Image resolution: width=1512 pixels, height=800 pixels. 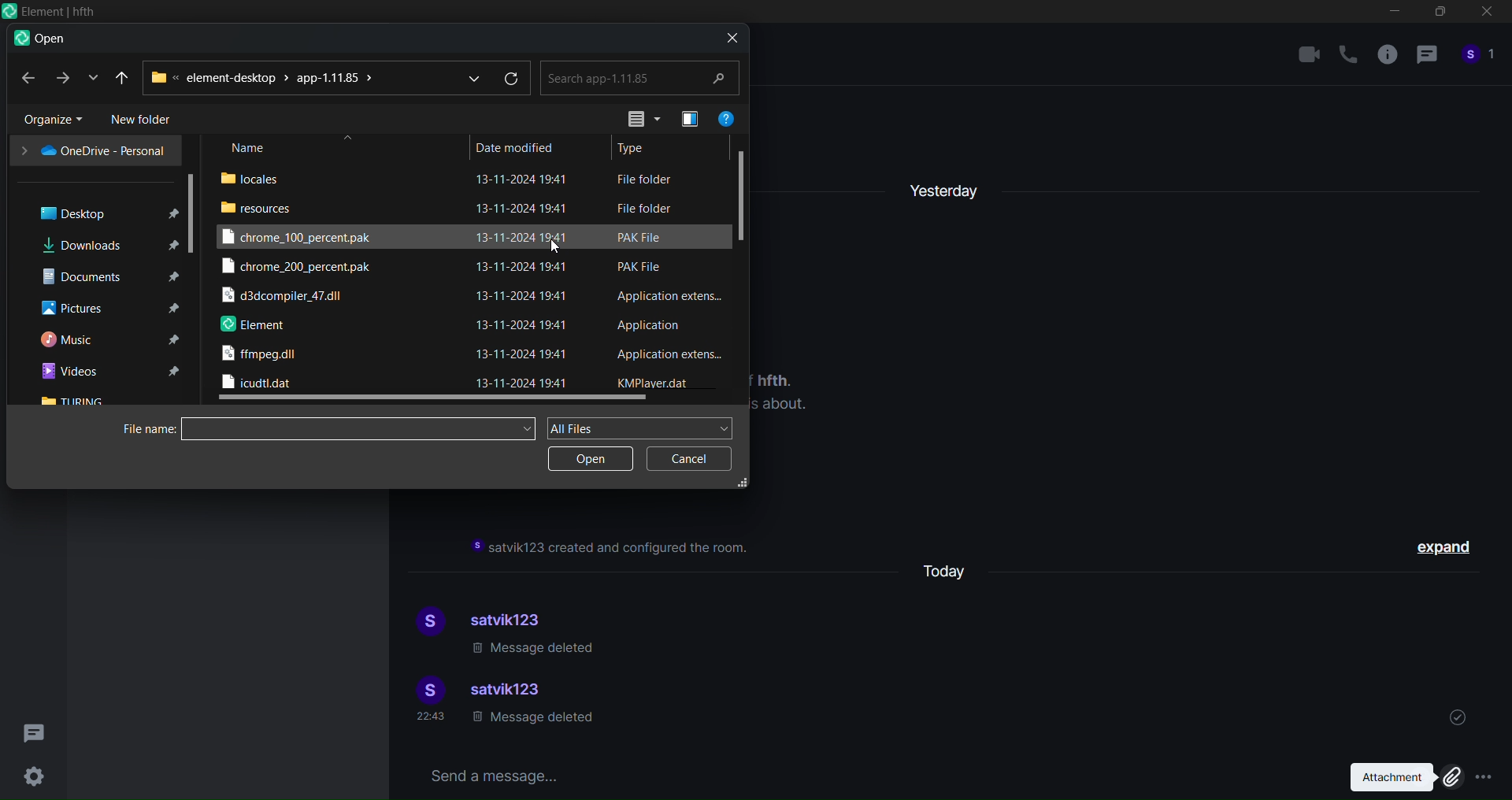 I want to click on new folder, so click(x=146, y=120).